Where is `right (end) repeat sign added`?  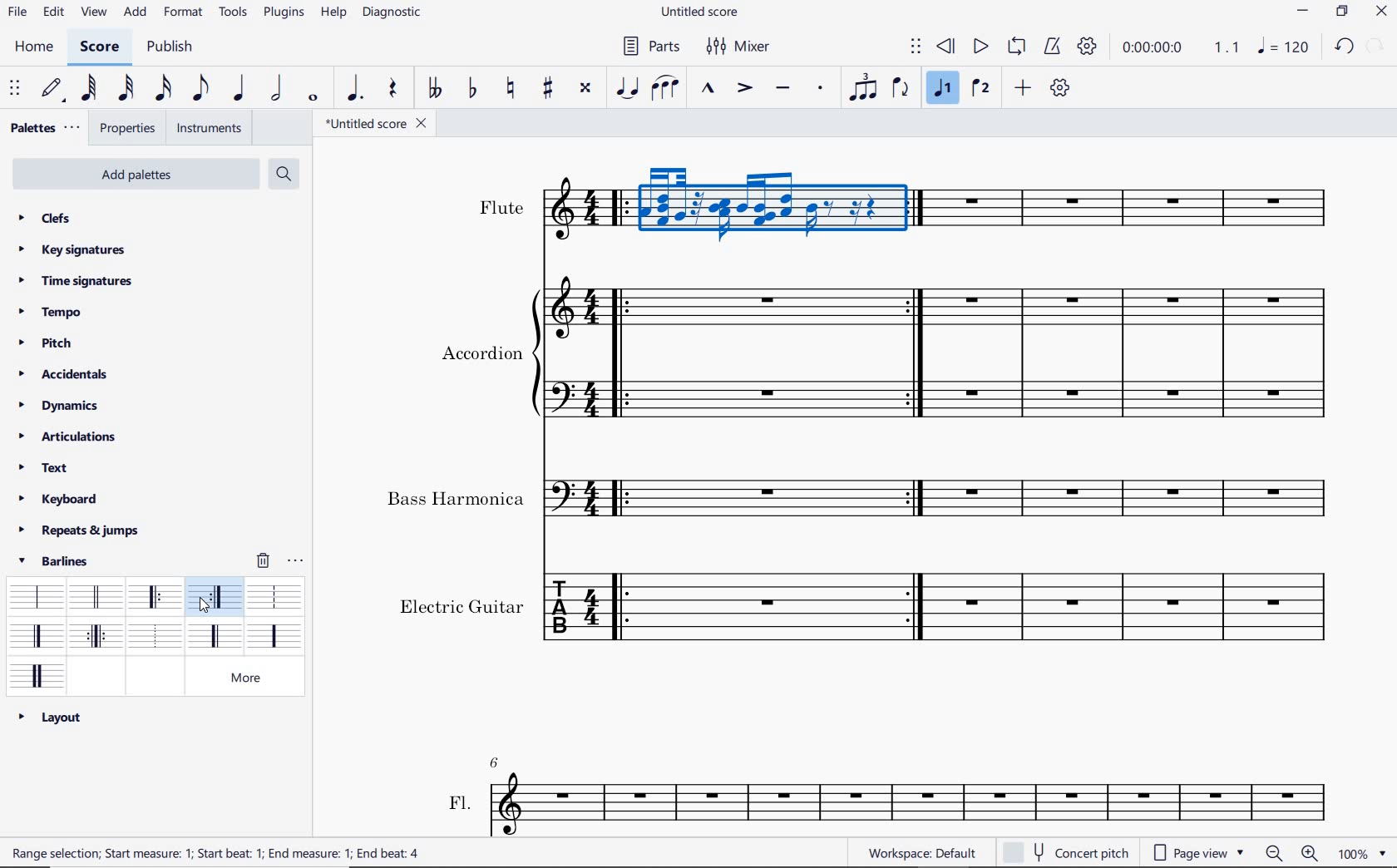
right (end) repeat sign added is located at coordinates (917, 607).